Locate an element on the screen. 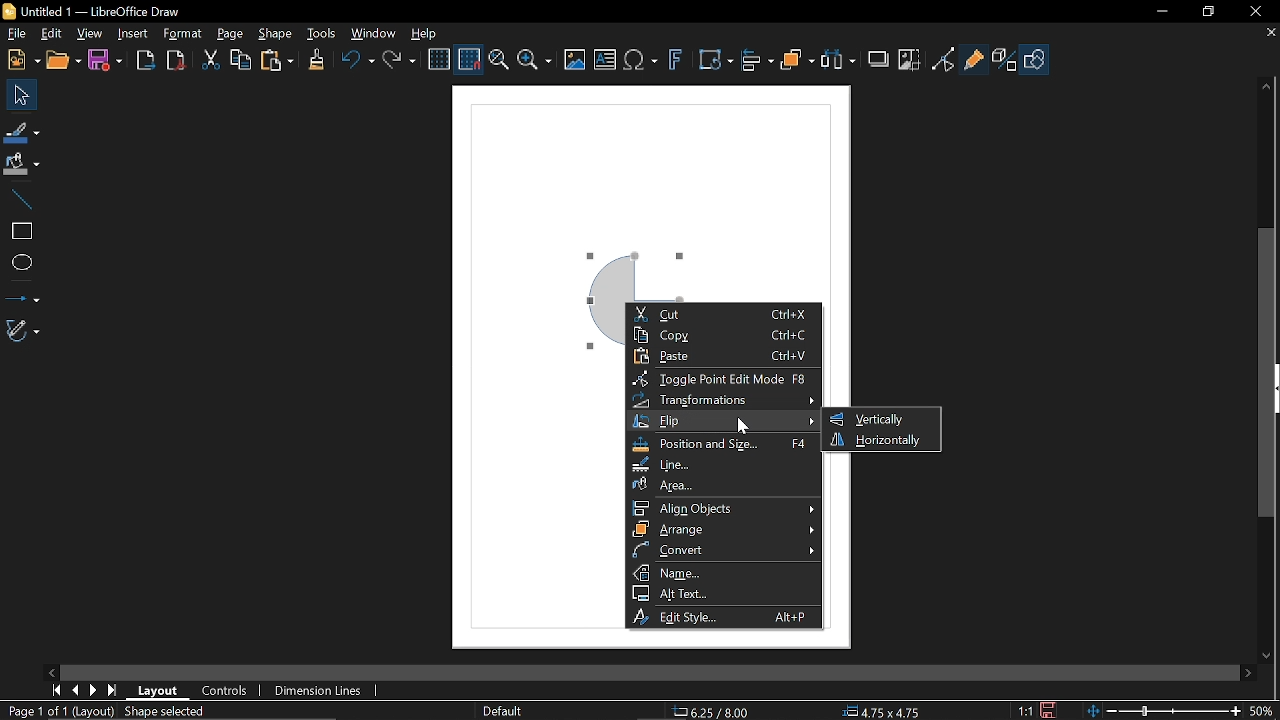 This screenshot has width=1280, height=720. Area is located at coordinates (727, 485).